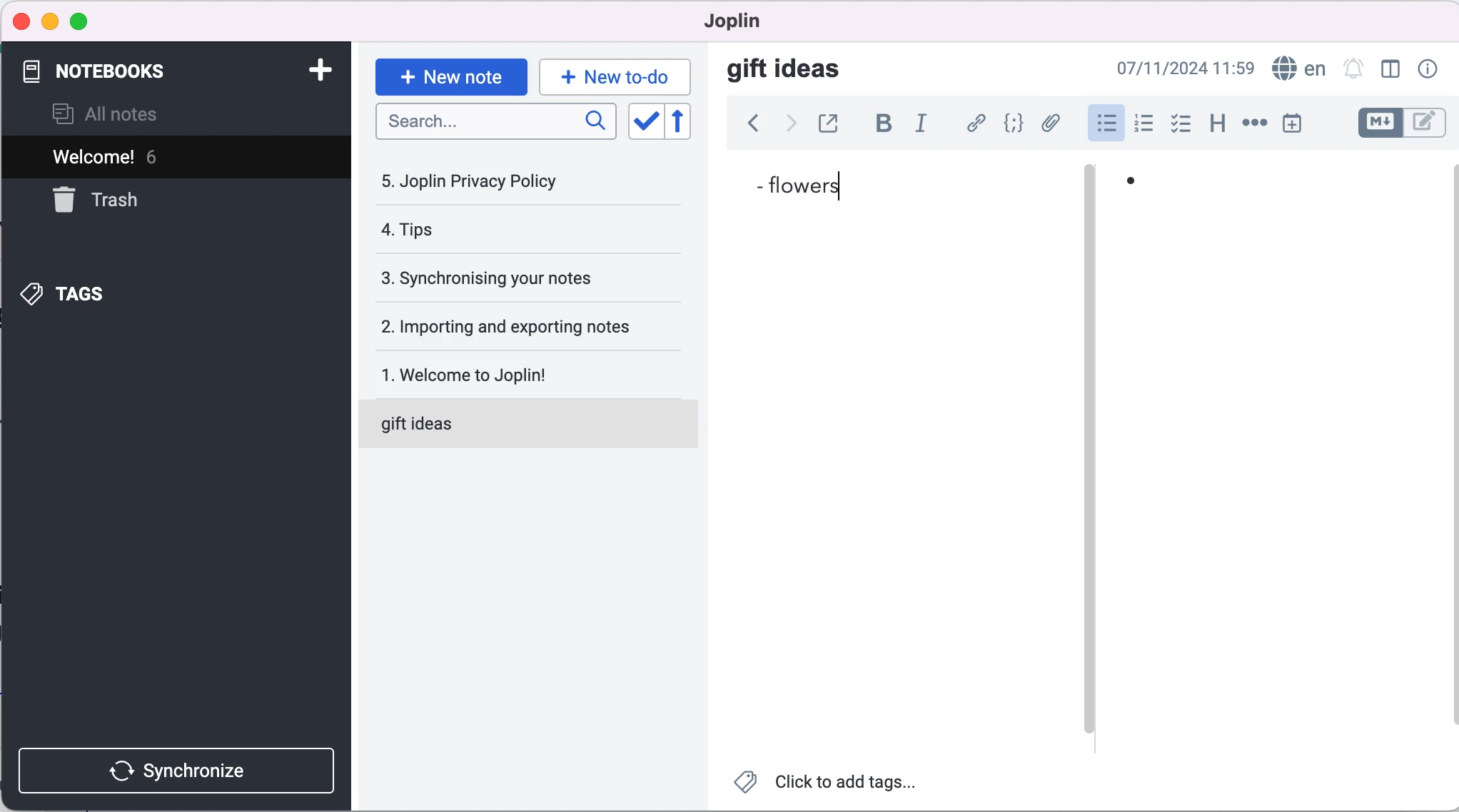 This screenshot has width=1459, height=812. Describe the element at coordinates (732, 21) in the screenshot. I see `joplin` at that location.